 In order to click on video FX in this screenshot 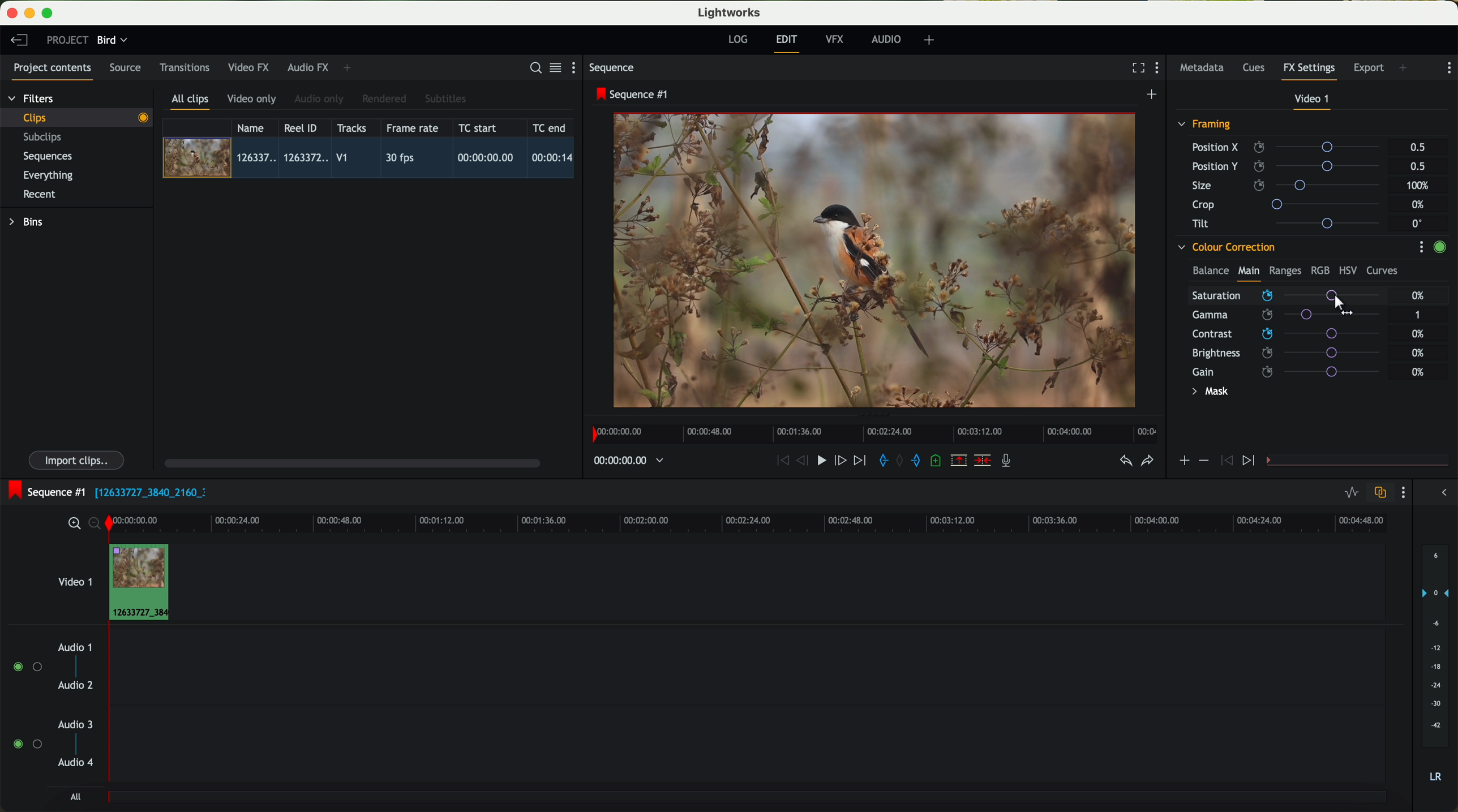, I will do `click(251, 67)`.